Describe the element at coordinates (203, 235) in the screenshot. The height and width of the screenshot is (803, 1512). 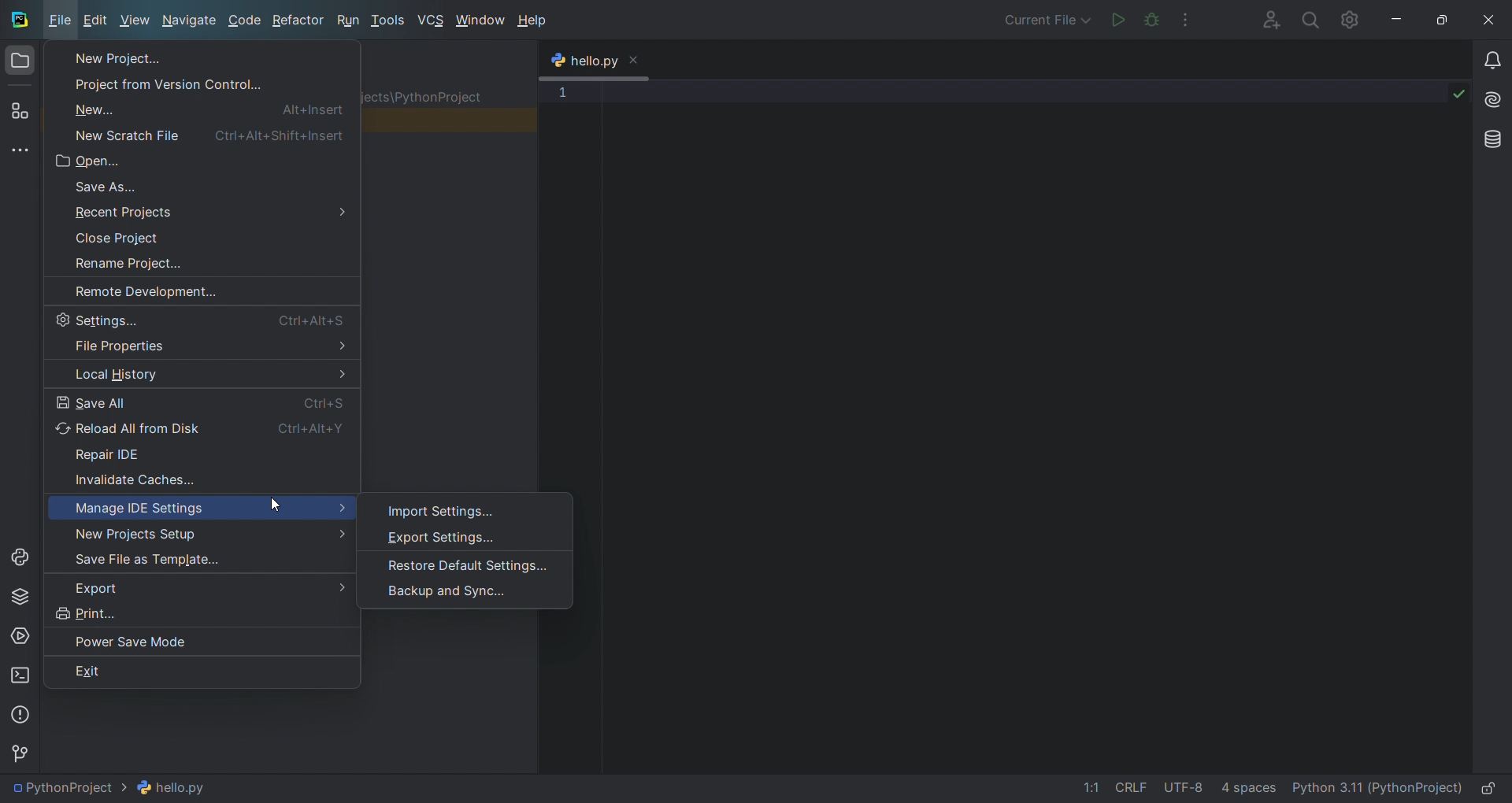
I see `close project` at that location.